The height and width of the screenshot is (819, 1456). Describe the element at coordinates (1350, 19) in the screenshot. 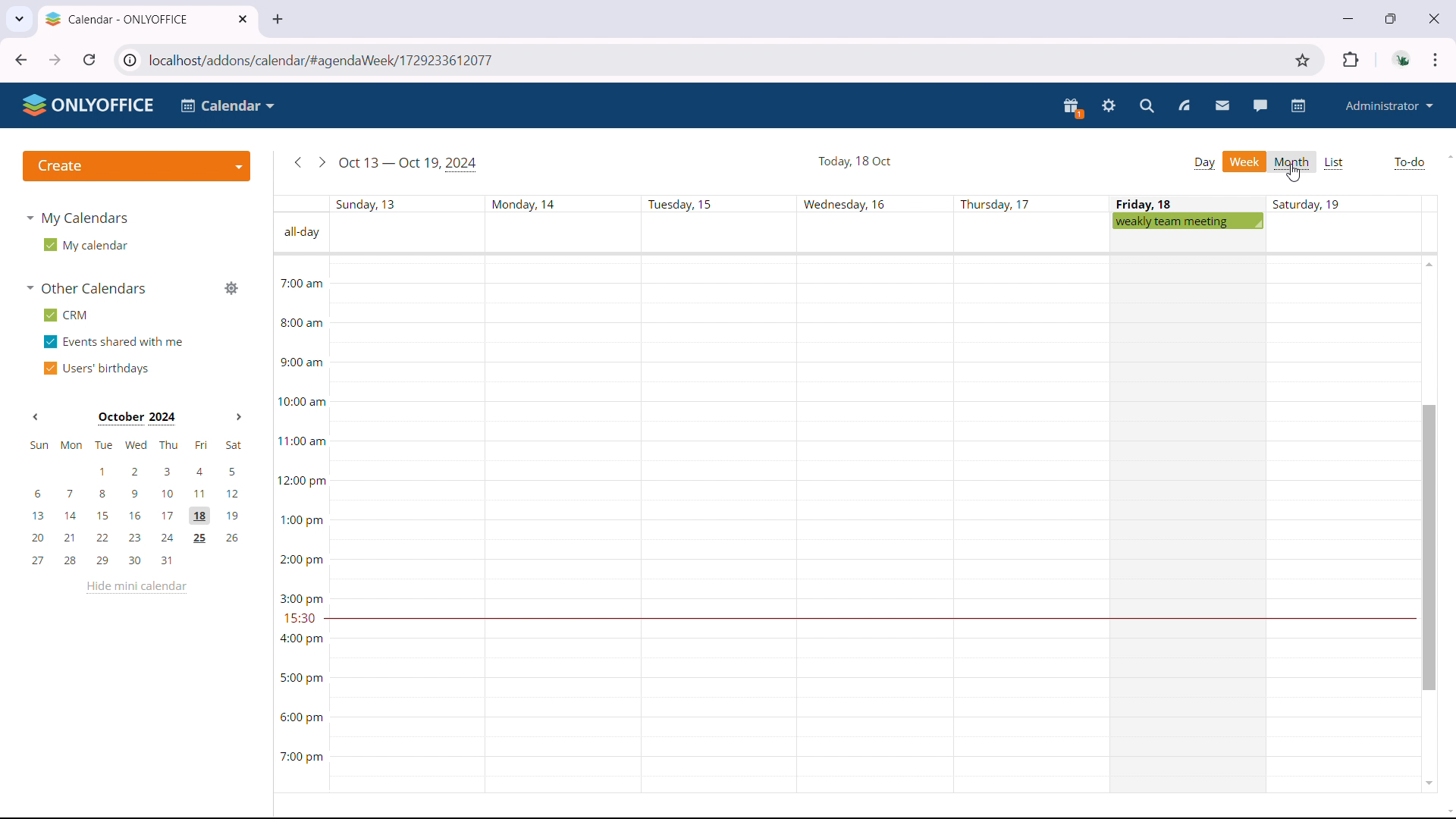

I see `minimize` at that location.